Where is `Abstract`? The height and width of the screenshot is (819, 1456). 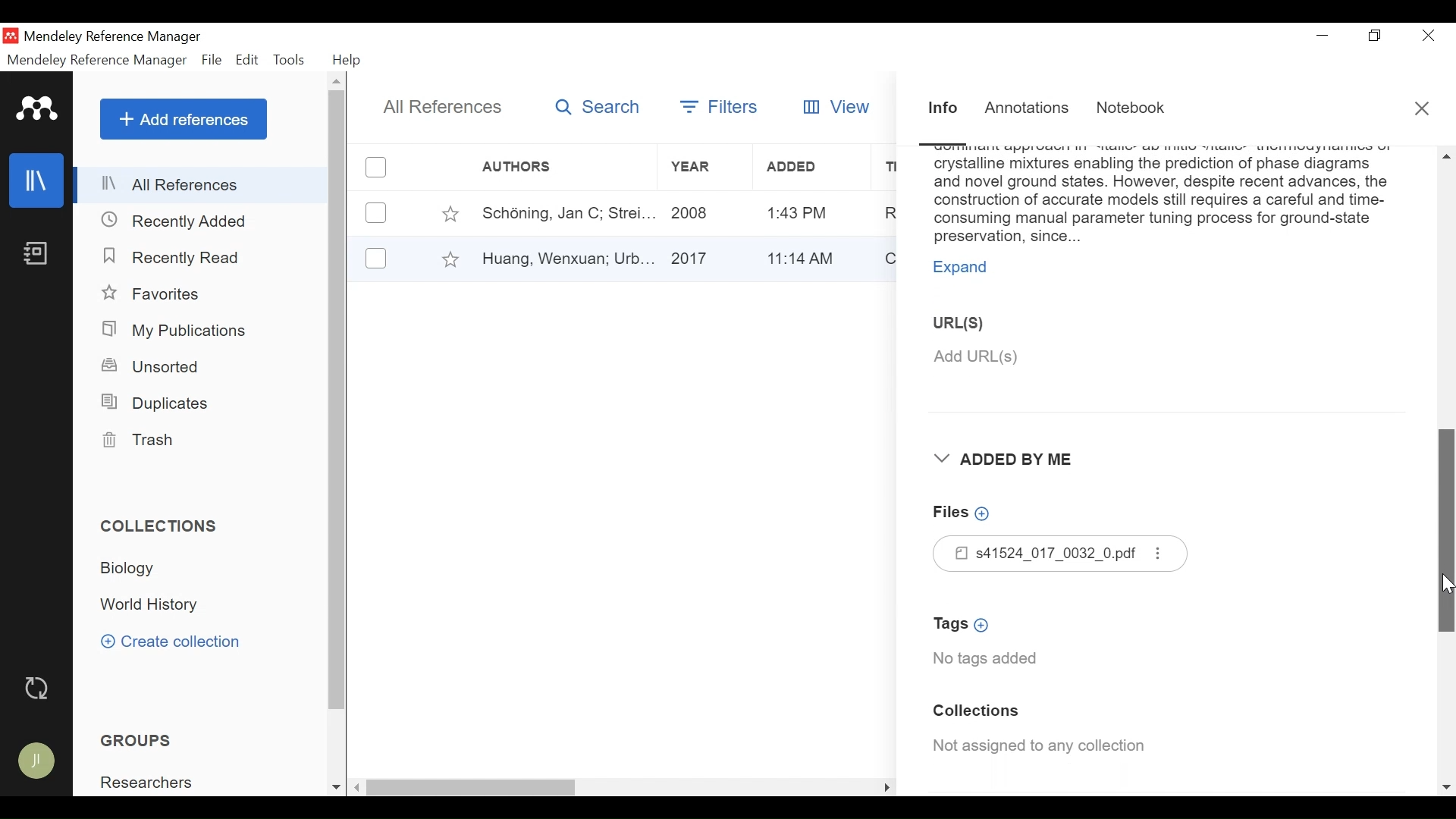
Abstract is located at coordinates (1162, 197).